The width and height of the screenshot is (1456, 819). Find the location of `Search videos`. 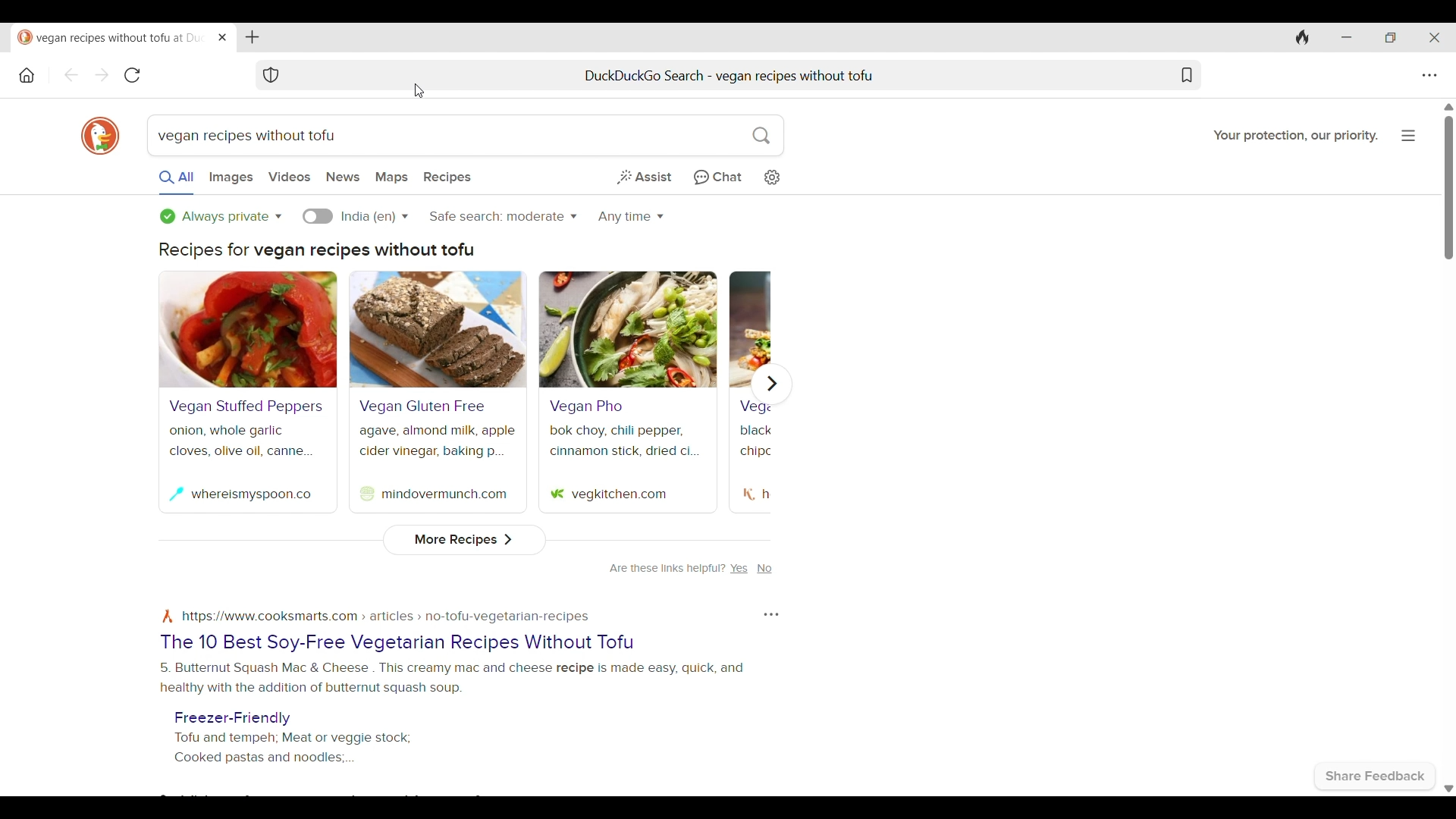

Search videos is located at coordinates (290, 177).